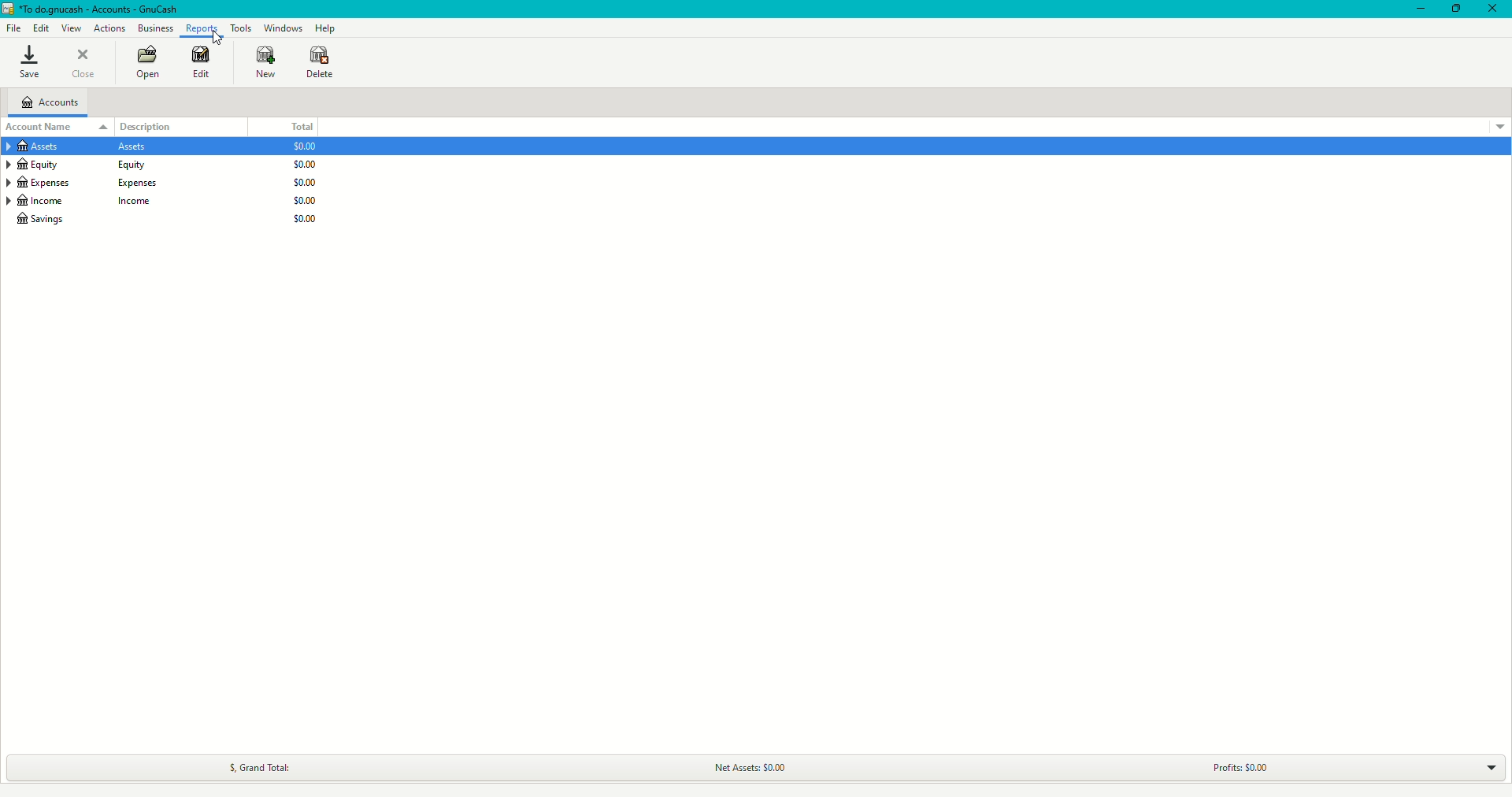 The image size is (1512, 797). What do you see at coordinates (305, 201) in the screenshot?
I see `$0.00` at bounding box center [305, 201].